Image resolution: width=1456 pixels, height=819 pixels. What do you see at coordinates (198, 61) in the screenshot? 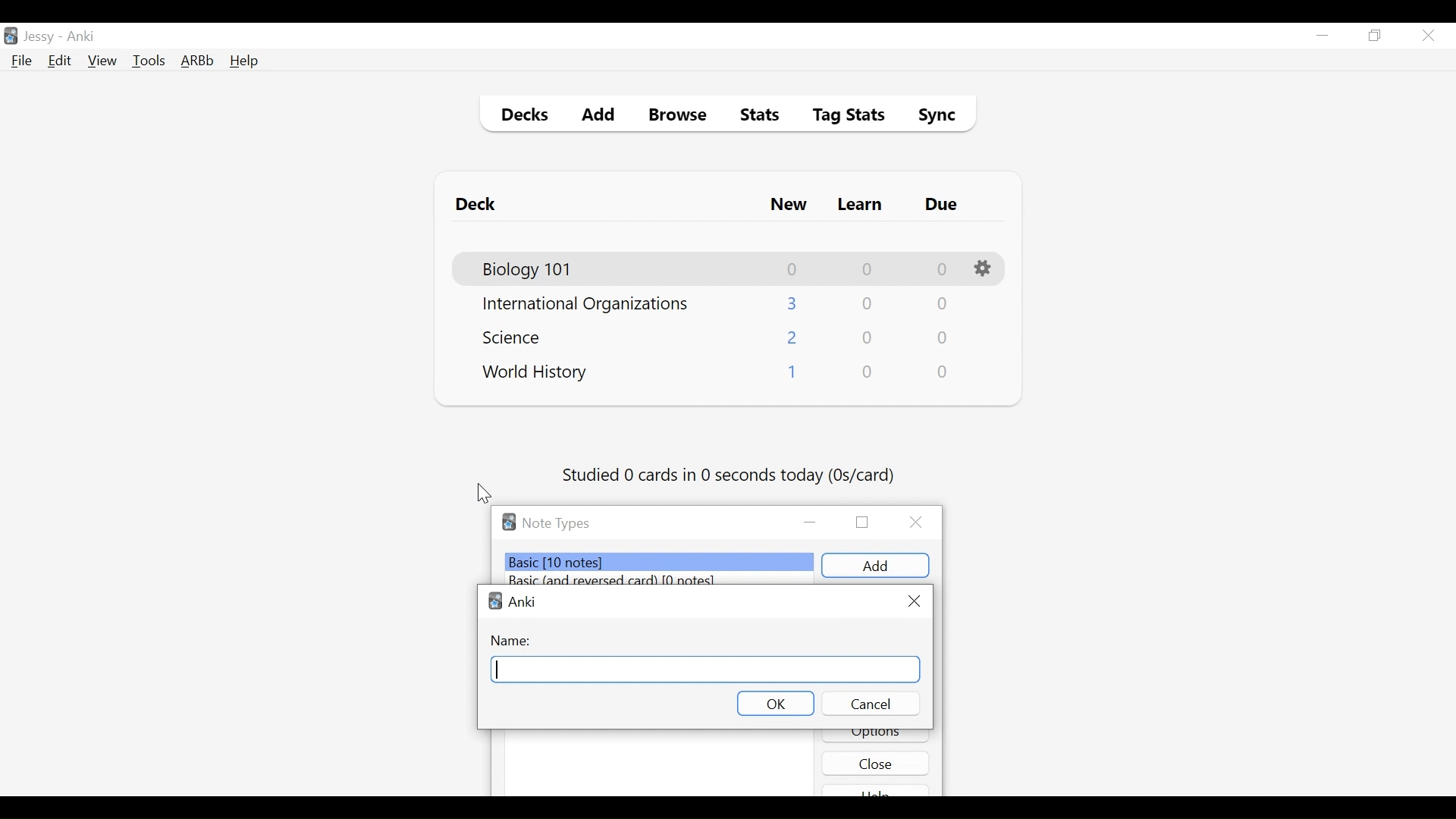
I see `Advanced Review Button bar` at bounding box center [198, 61].